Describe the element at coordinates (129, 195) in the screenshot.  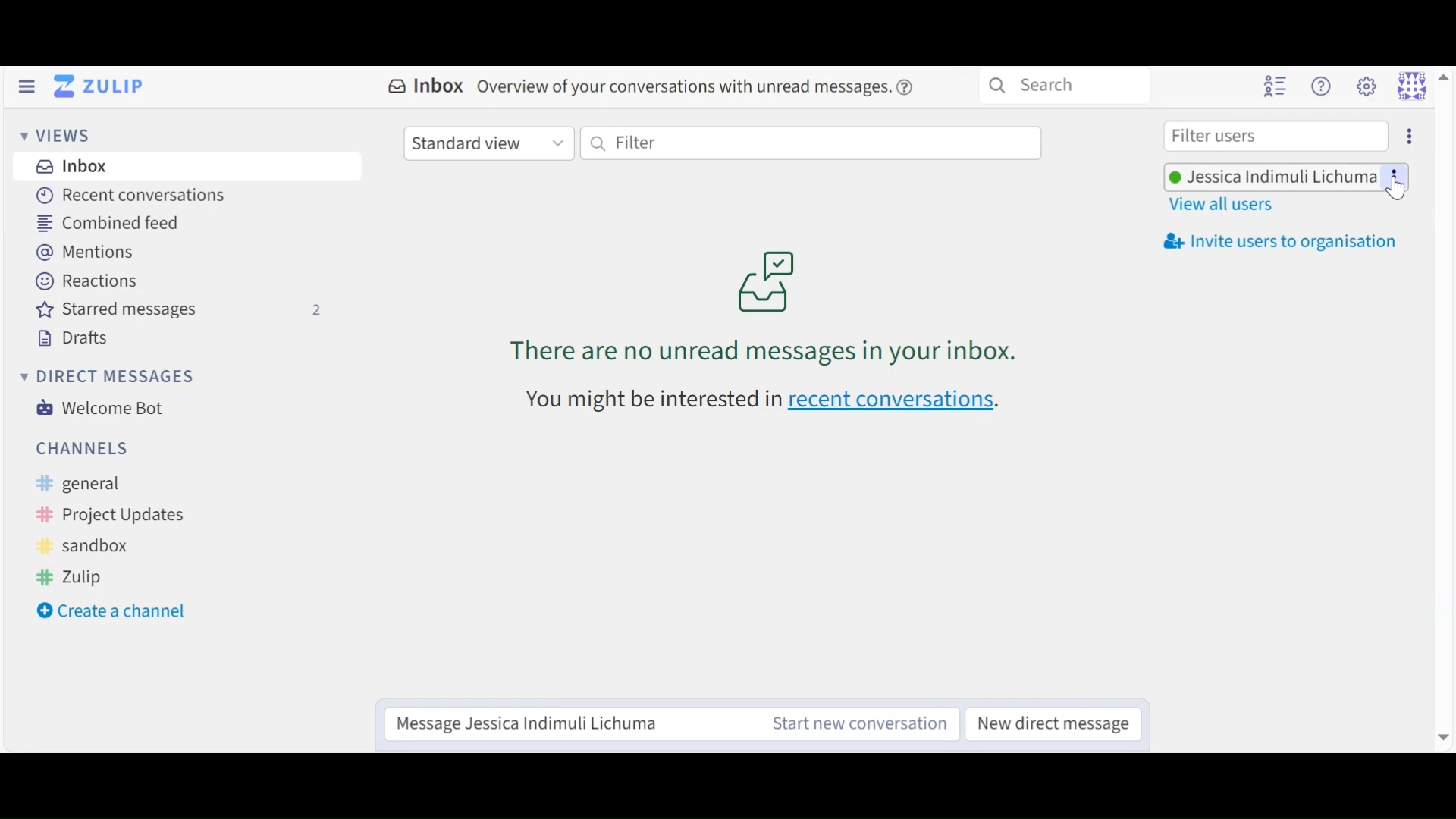
I see `Recent Conversations` at that location.